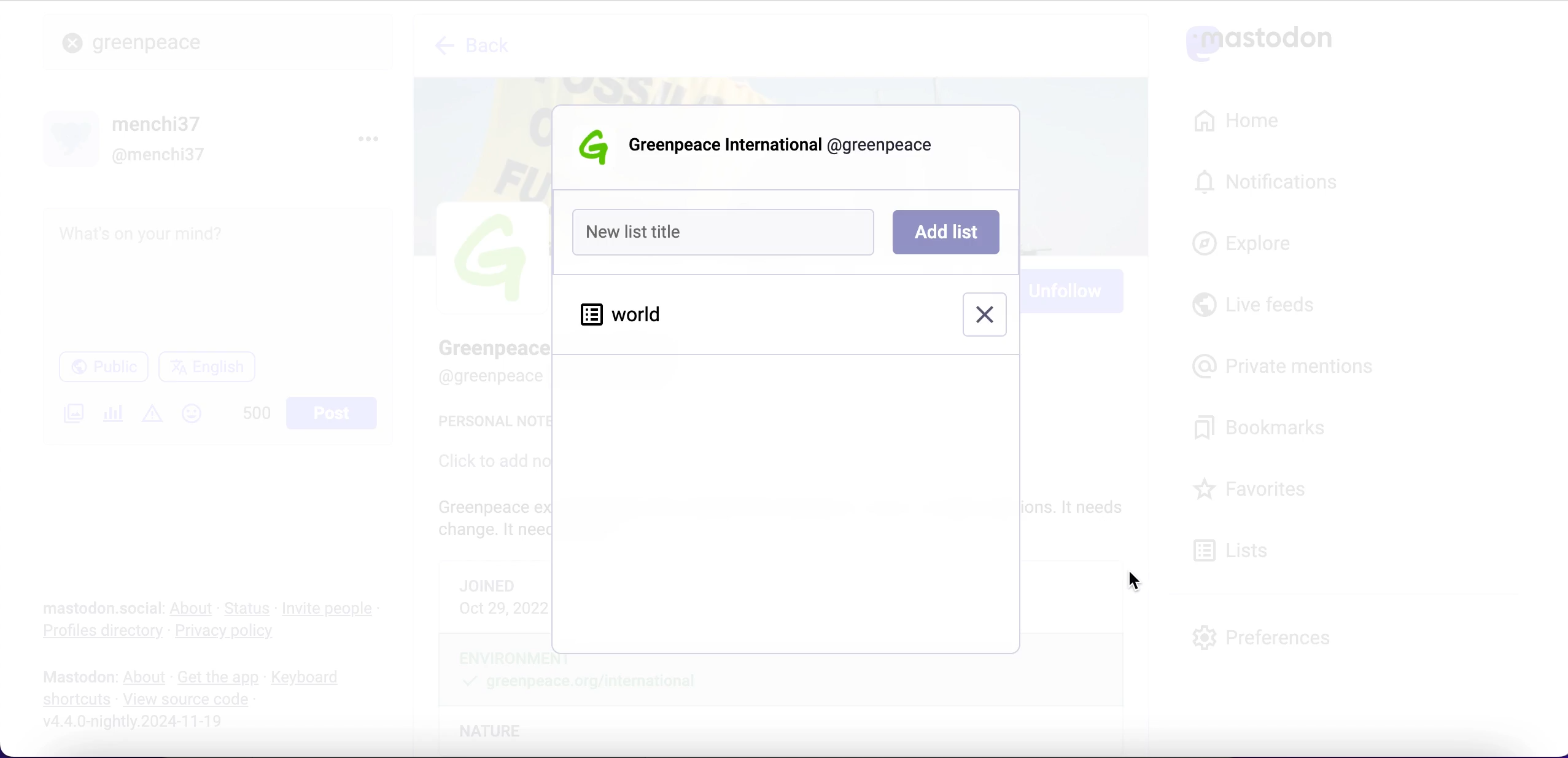  What do you see at coordinates (1254, 309) in the screenshot?
I see `live feeds` at bounding box center [1254, 309].